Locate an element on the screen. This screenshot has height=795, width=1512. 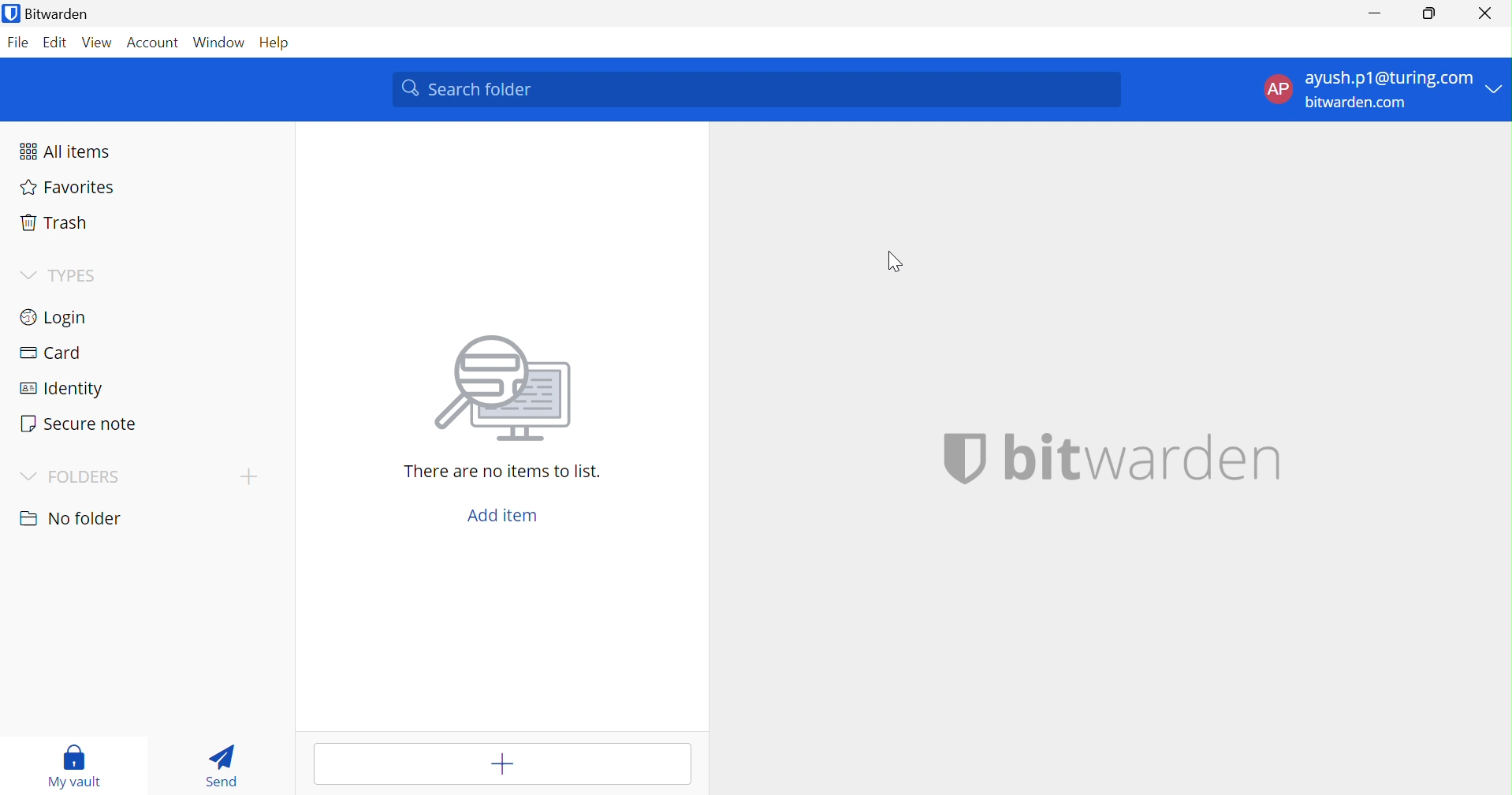
searching for file vector image is located at coordinates (496, 390).